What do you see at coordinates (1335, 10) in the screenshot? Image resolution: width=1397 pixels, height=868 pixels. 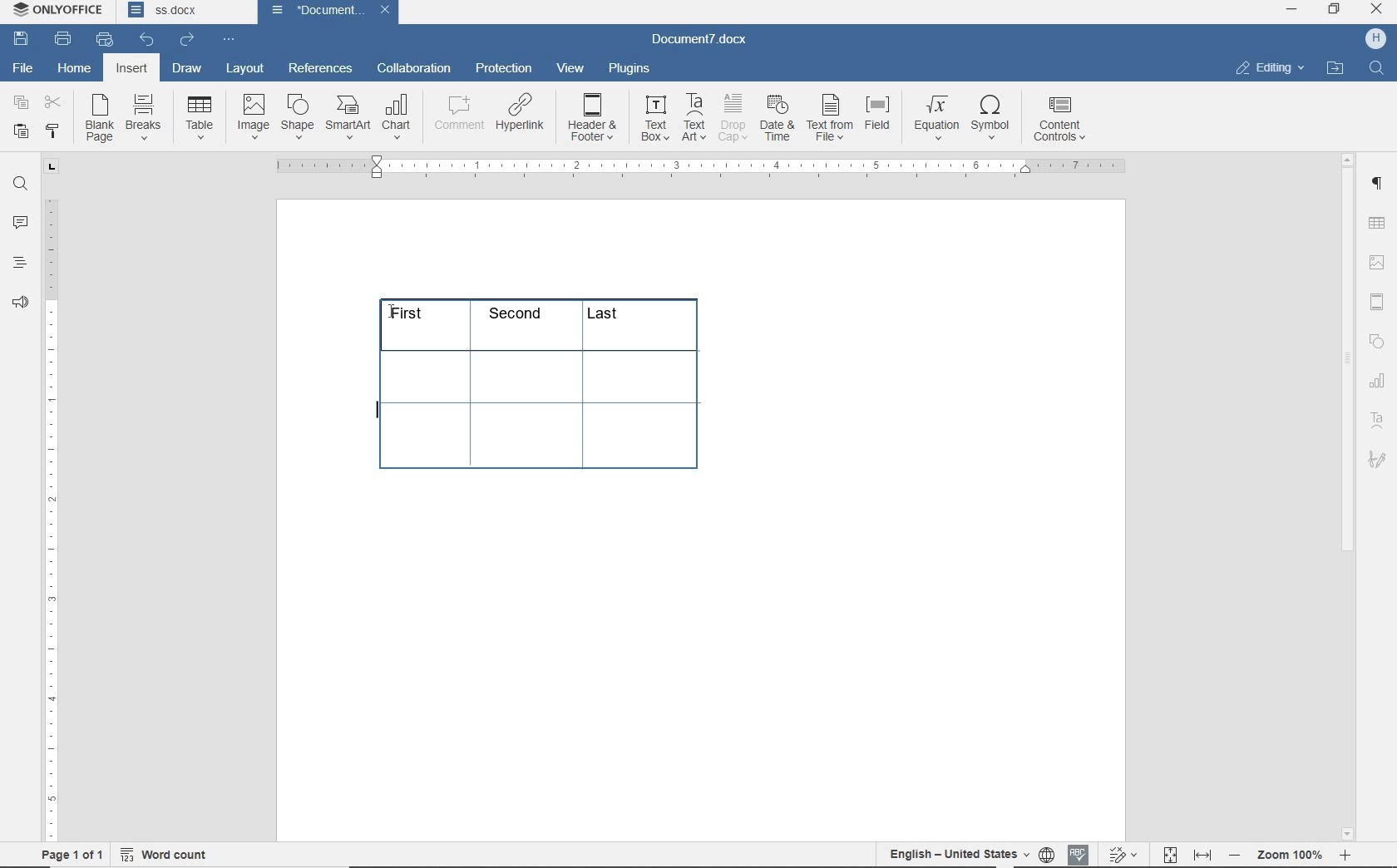 I see `RESTORE DOWN` at bounding box center [1335, 10].